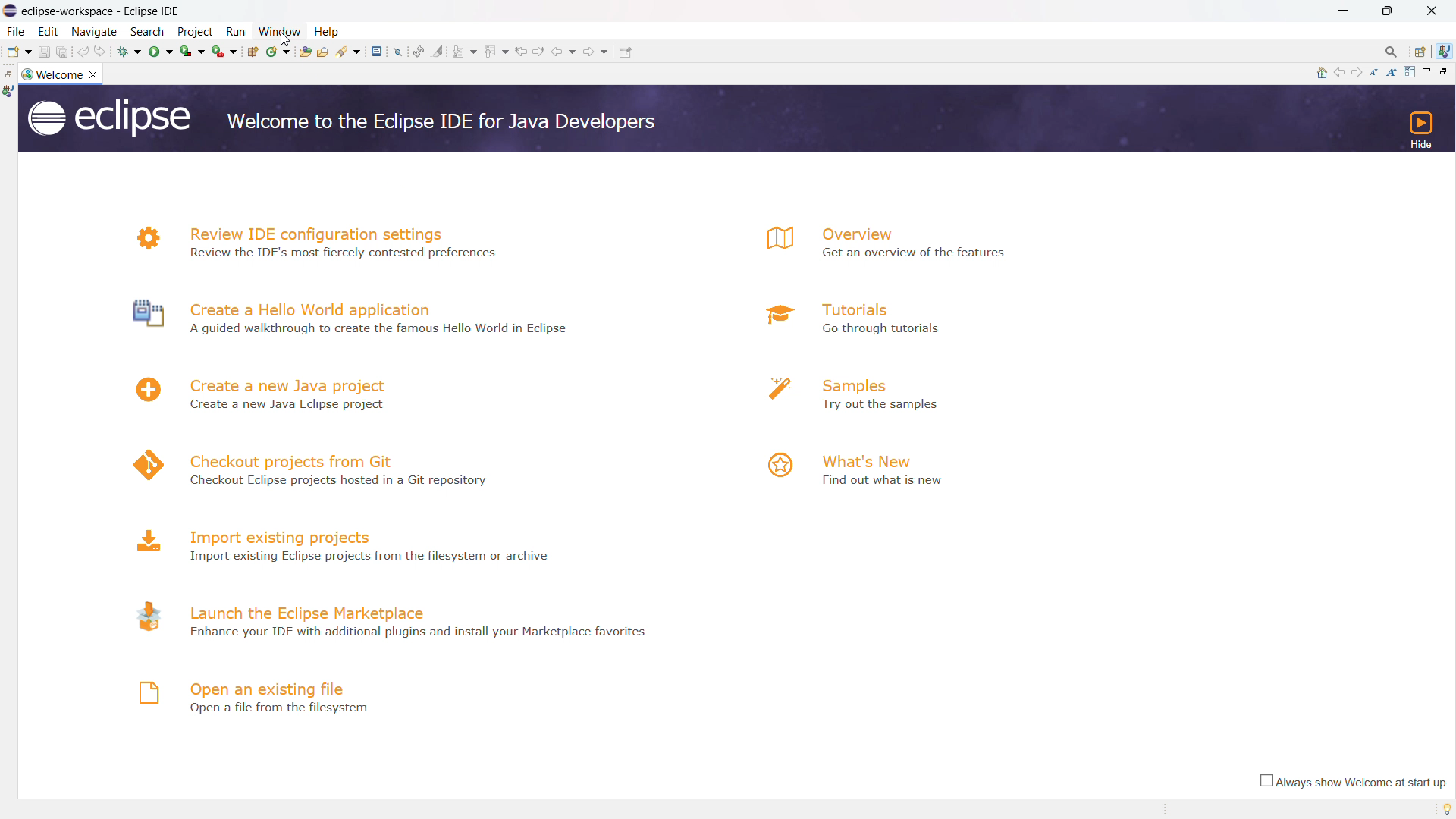 This screenshot has width=1456, height=819. I want to click on logo, so click(144, 615).